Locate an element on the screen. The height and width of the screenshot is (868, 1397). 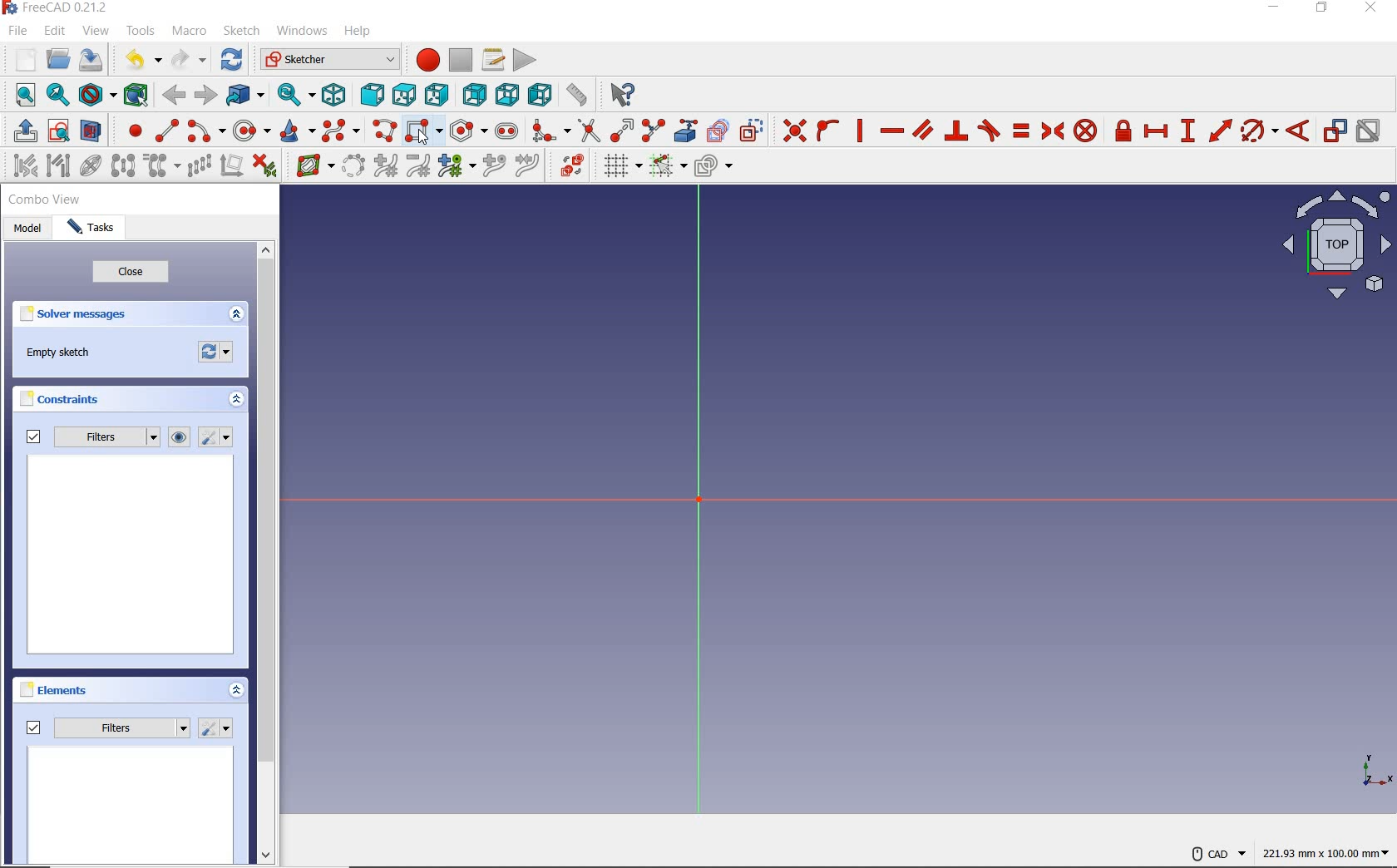
dimension is located at coordinates (1328, 852).